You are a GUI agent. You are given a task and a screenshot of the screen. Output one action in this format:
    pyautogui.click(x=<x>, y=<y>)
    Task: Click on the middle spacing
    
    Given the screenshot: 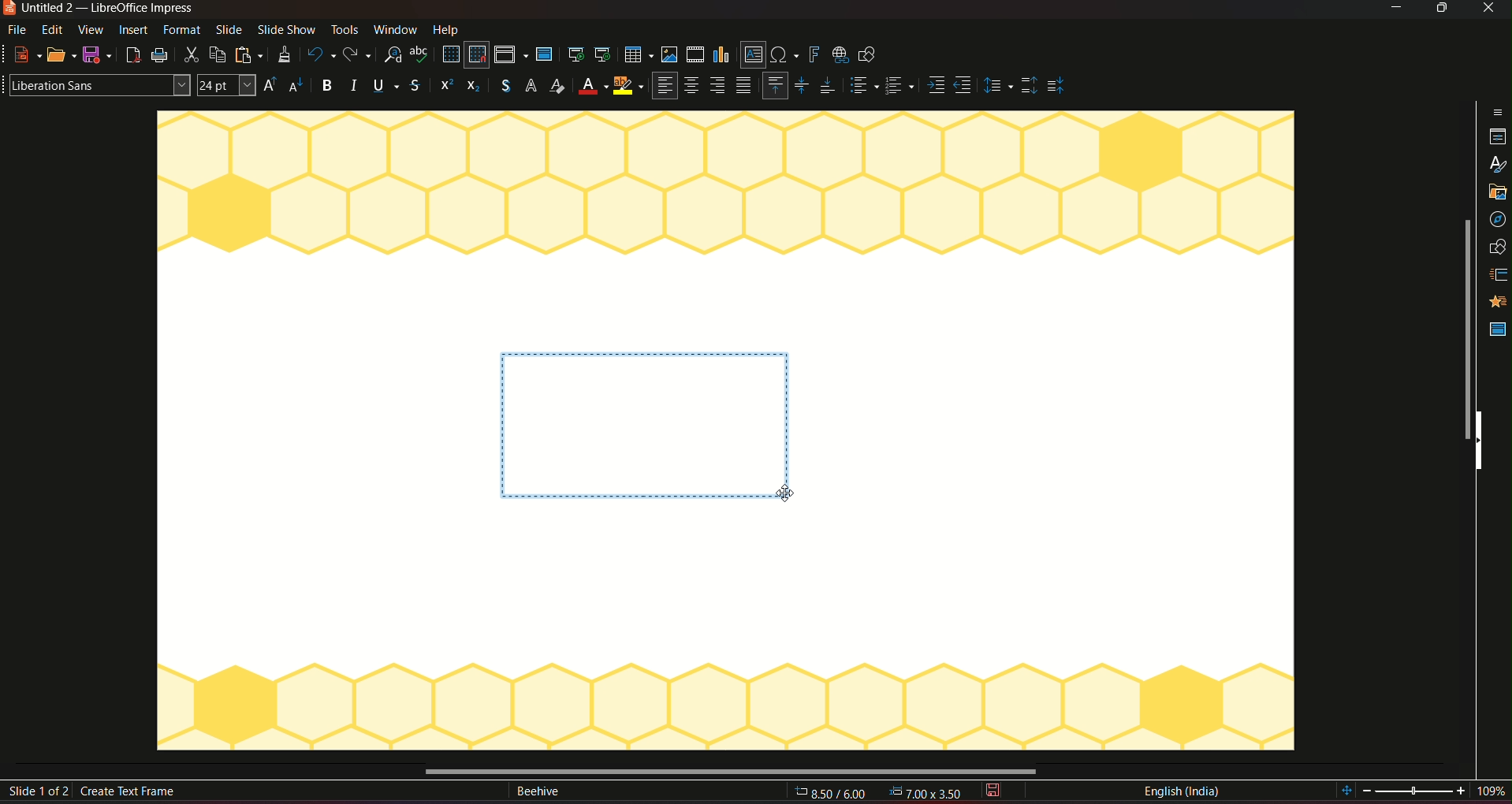 What is the action you would take?
    pyautogui.click(x=1060, y=86)
    